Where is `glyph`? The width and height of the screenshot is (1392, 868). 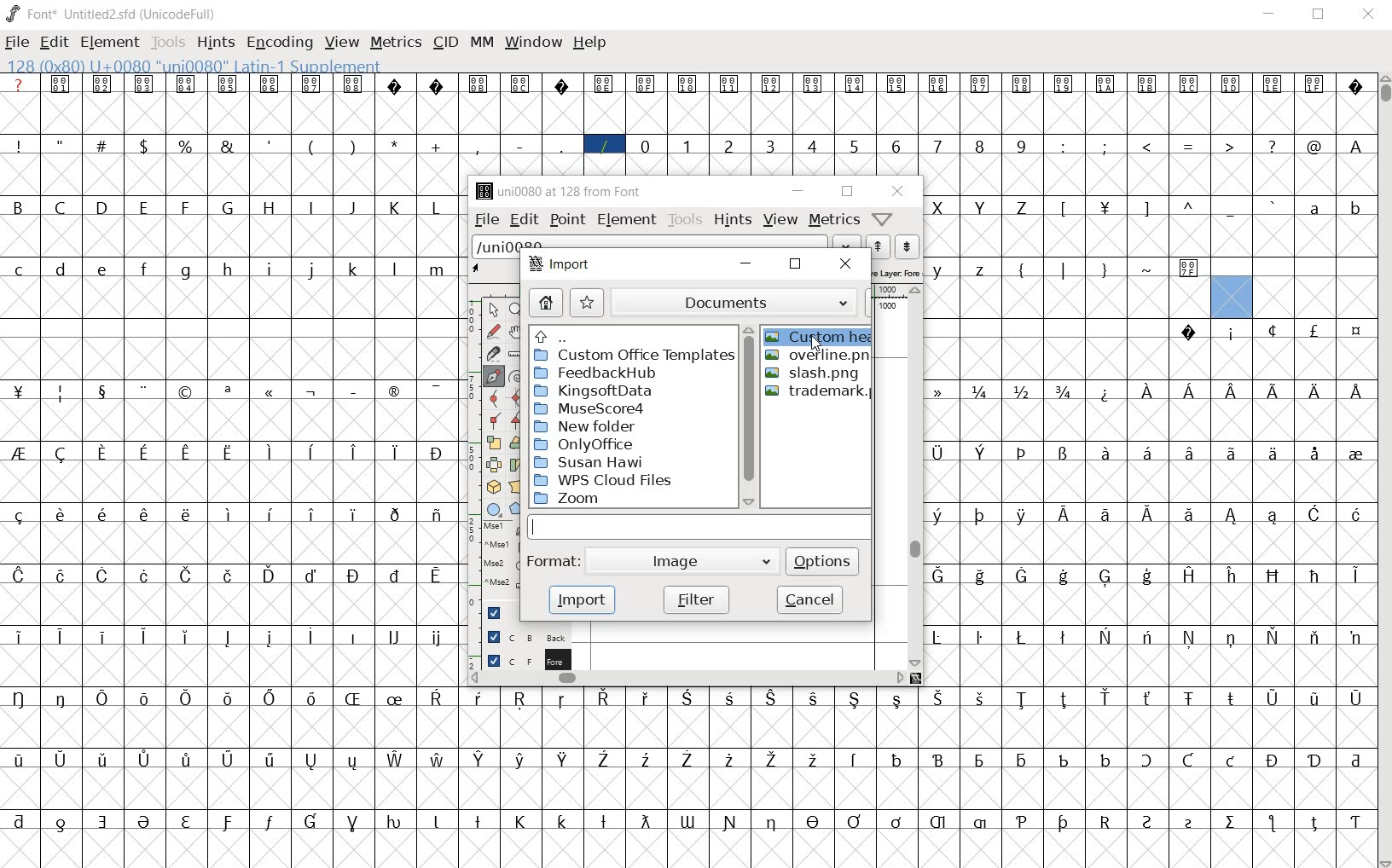
glyph is located at coordinates (145, 760).